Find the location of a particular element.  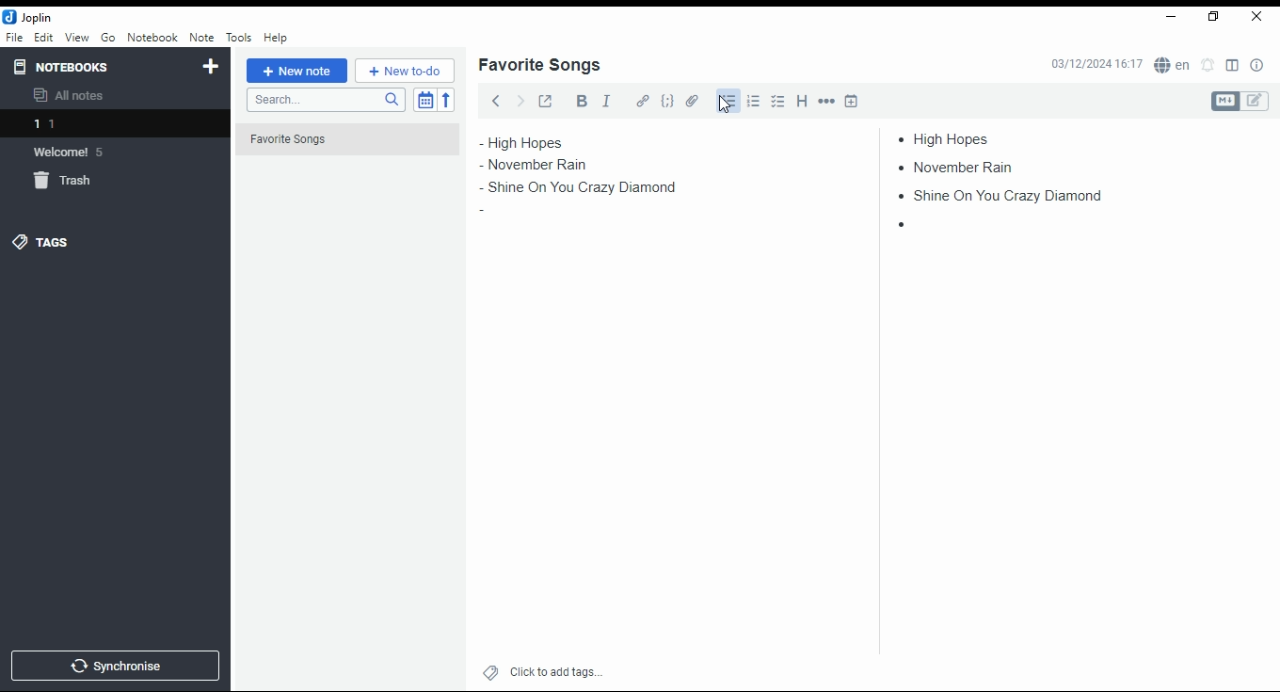

shine on you crazy diamond is located at coordinates (993, 194).